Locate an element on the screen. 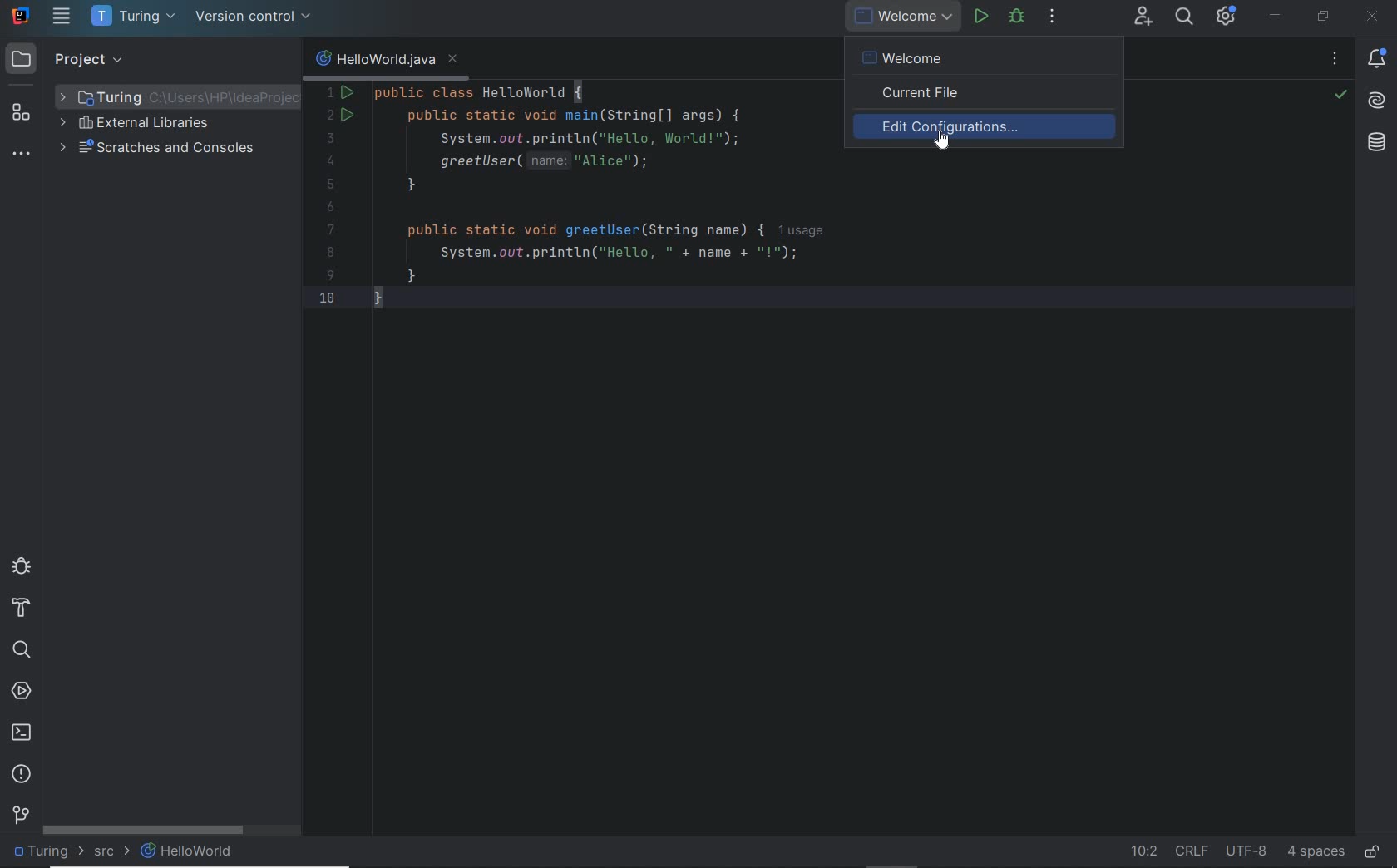  cursor is located at coordinates (940, 146).